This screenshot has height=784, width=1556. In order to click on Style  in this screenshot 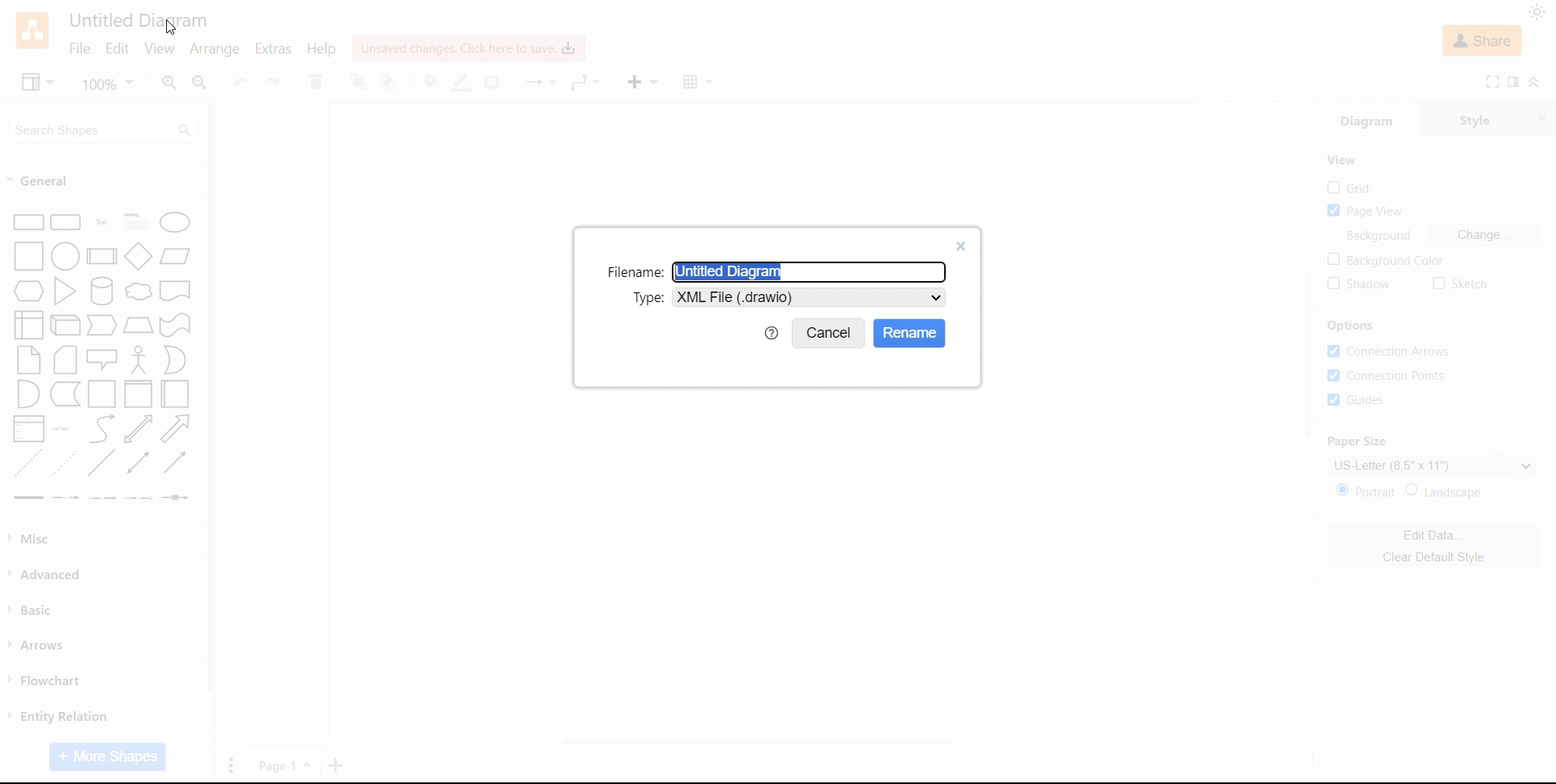, I will do `click(1477, 117)`.